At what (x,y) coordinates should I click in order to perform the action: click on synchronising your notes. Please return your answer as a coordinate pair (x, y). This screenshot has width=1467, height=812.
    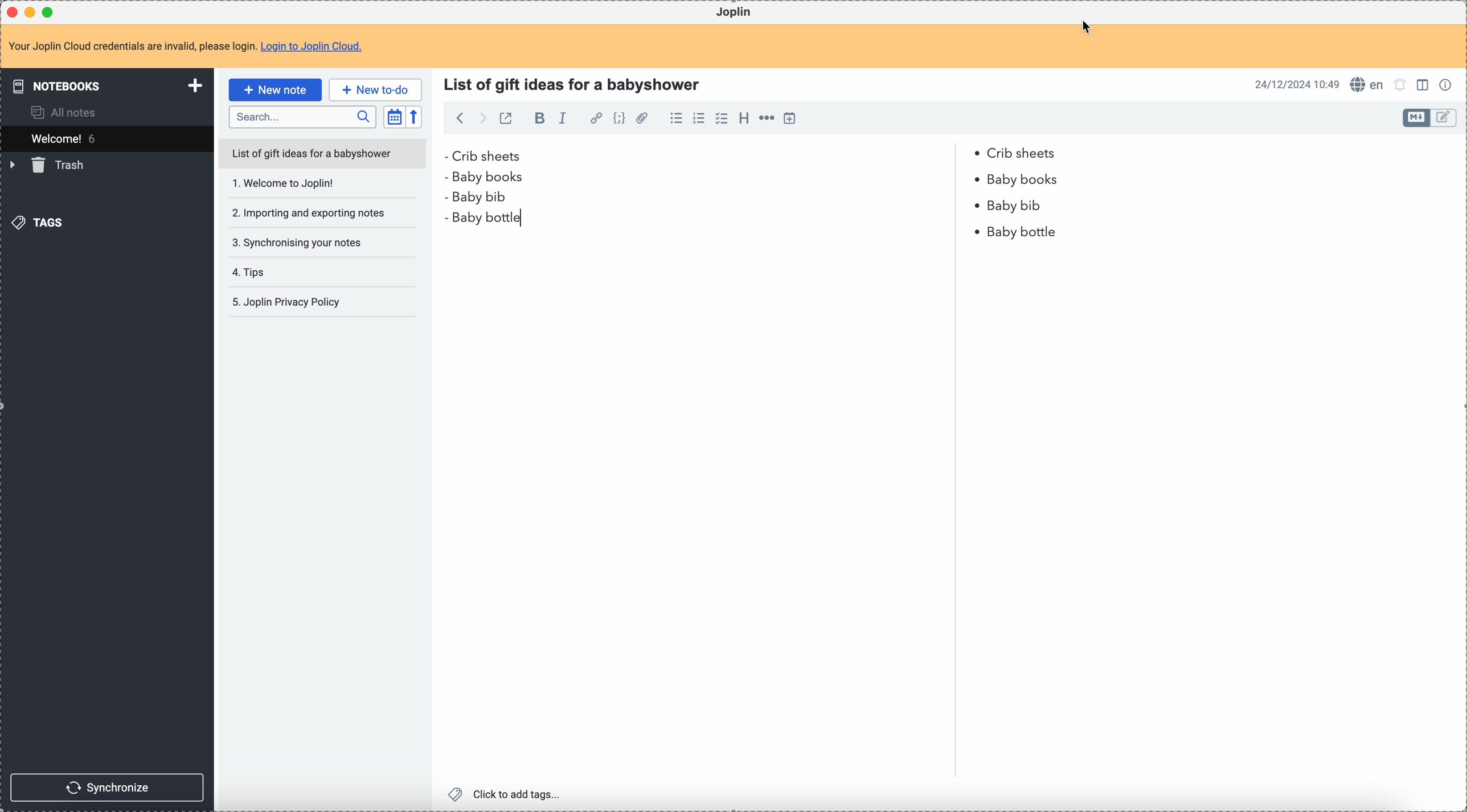
    Looking at the image, I should click on (306, 243).